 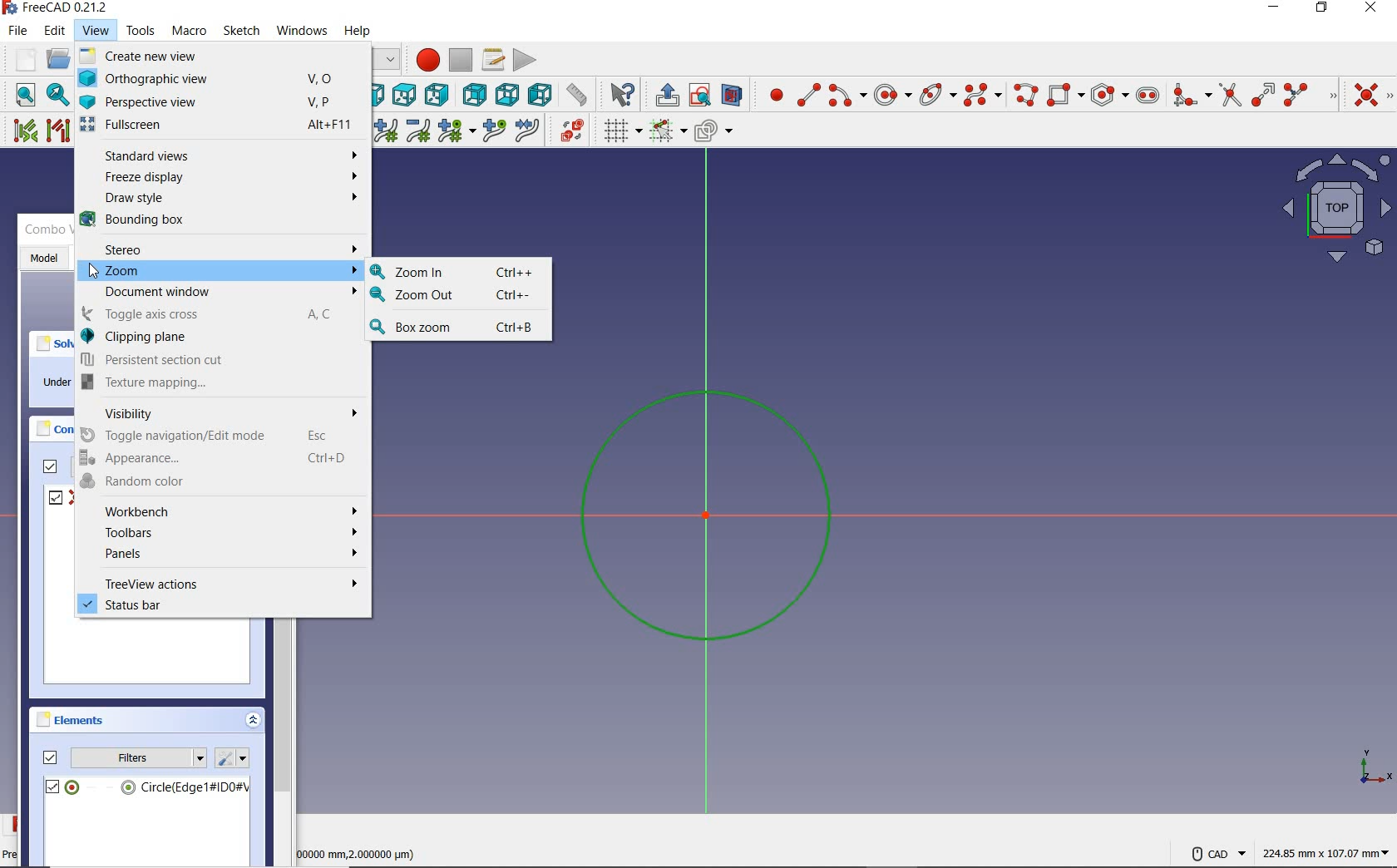 I want to click on decrease B-Spline degree, so click(x=417, y=131).